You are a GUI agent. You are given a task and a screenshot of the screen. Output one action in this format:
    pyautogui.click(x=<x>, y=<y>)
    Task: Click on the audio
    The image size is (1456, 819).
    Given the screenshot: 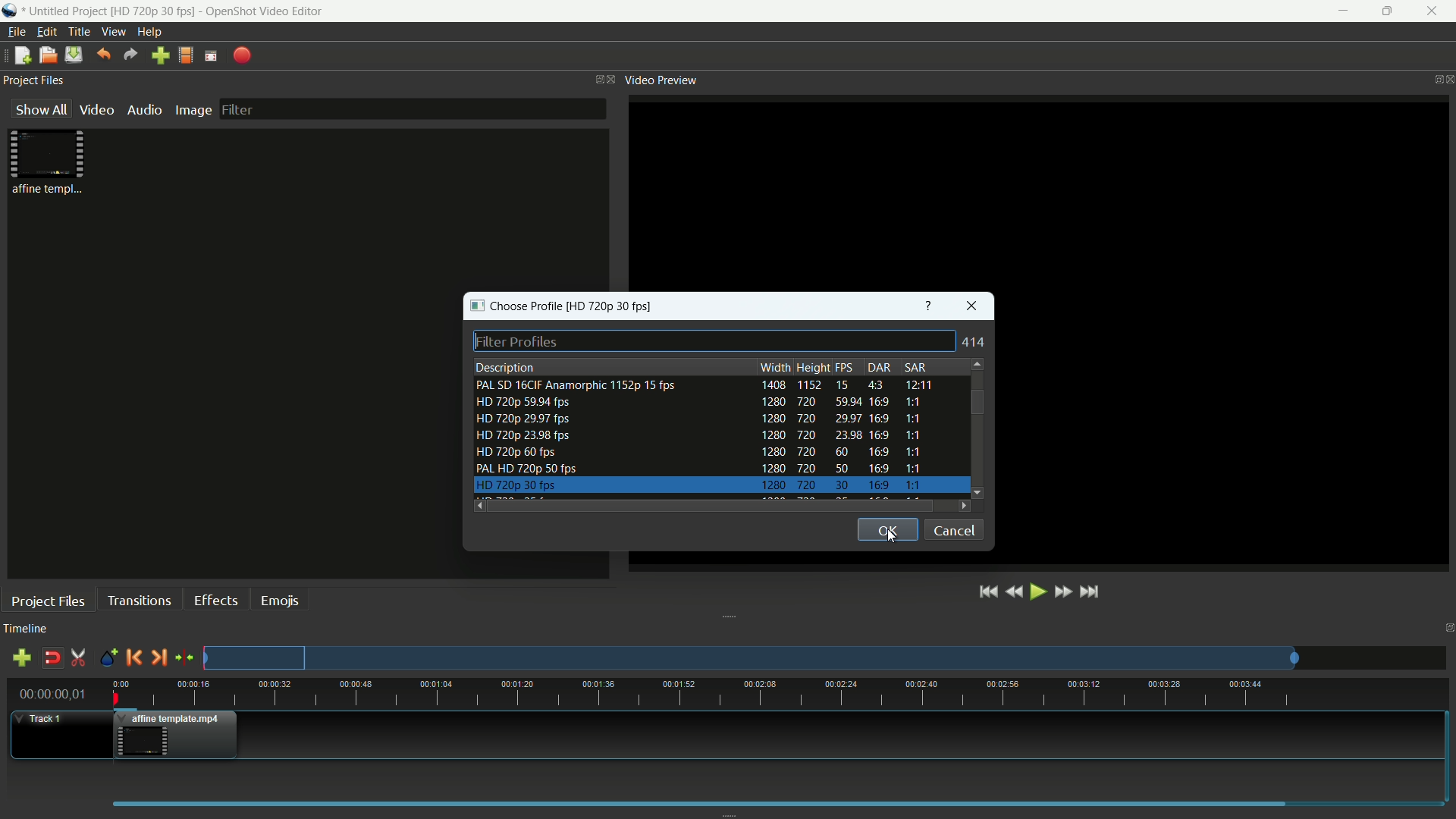 What is the action you would take?
    pyautogui.click(x=145, y=109)
    